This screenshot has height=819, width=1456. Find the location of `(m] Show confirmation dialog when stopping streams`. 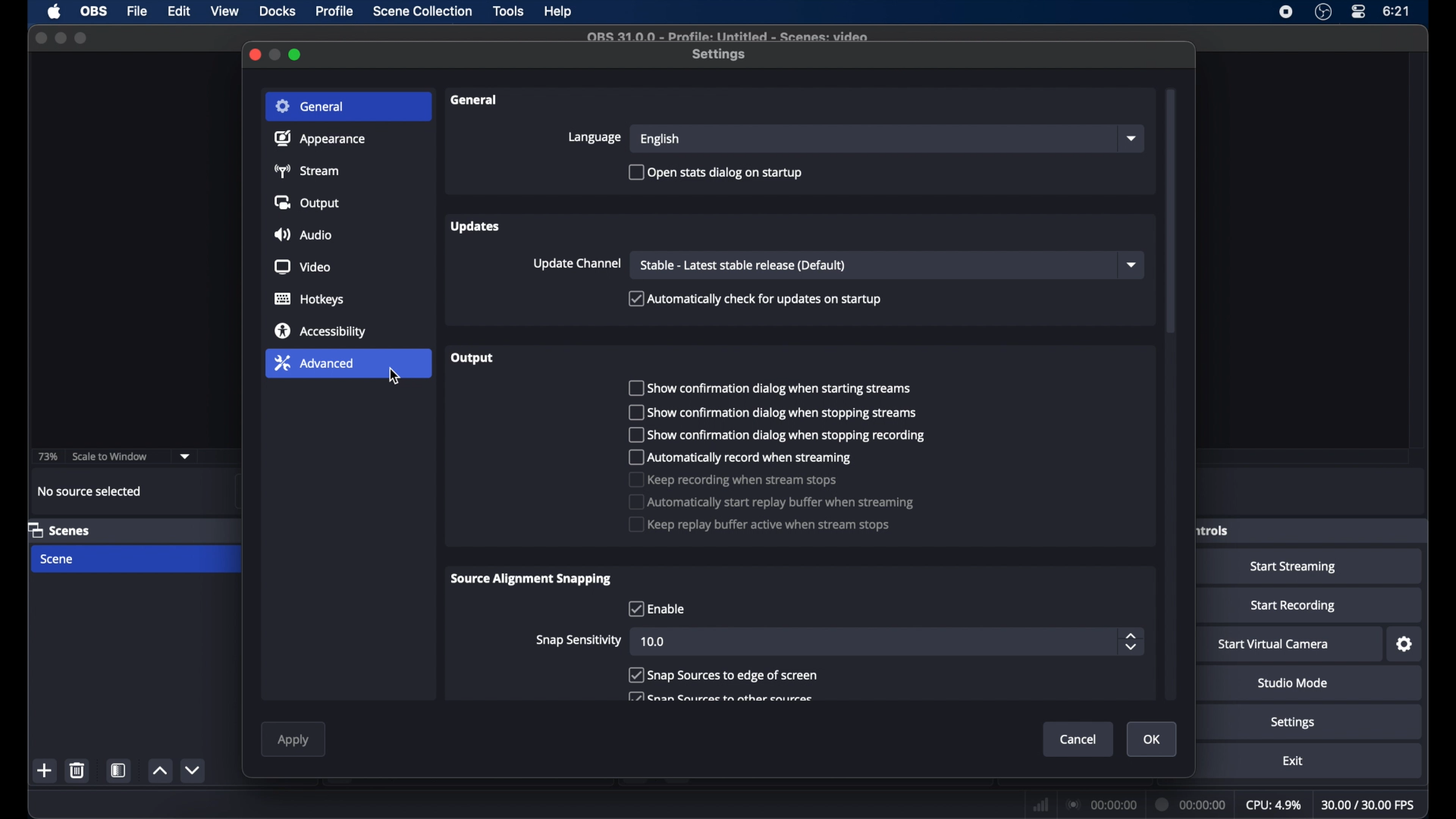

(m] Show confirmation dialog when stopping streams is located at coordinates (770, 413).